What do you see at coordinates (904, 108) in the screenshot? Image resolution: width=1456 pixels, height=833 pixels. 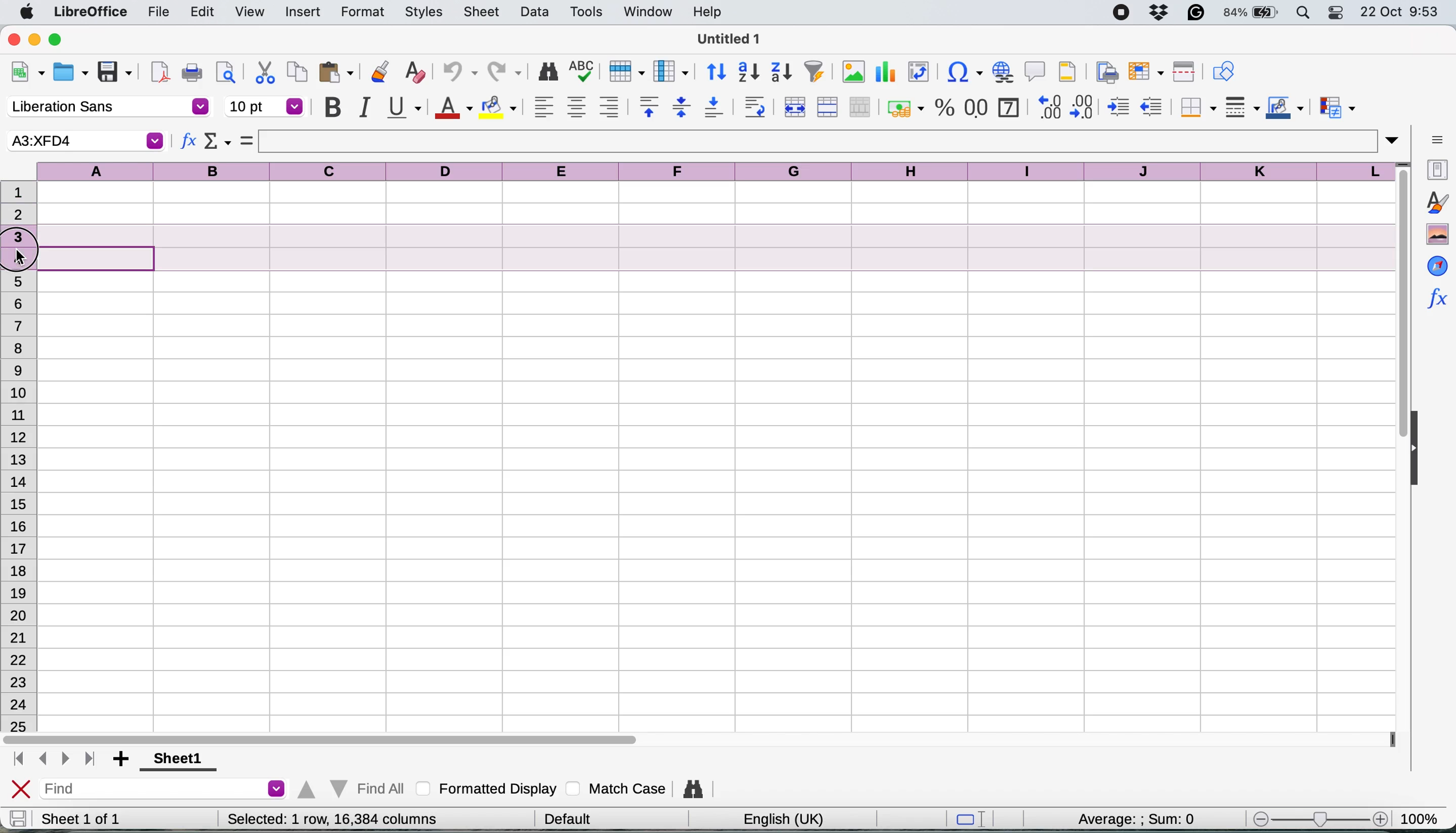 I see `format as currency` at bounding box center [904, 108].